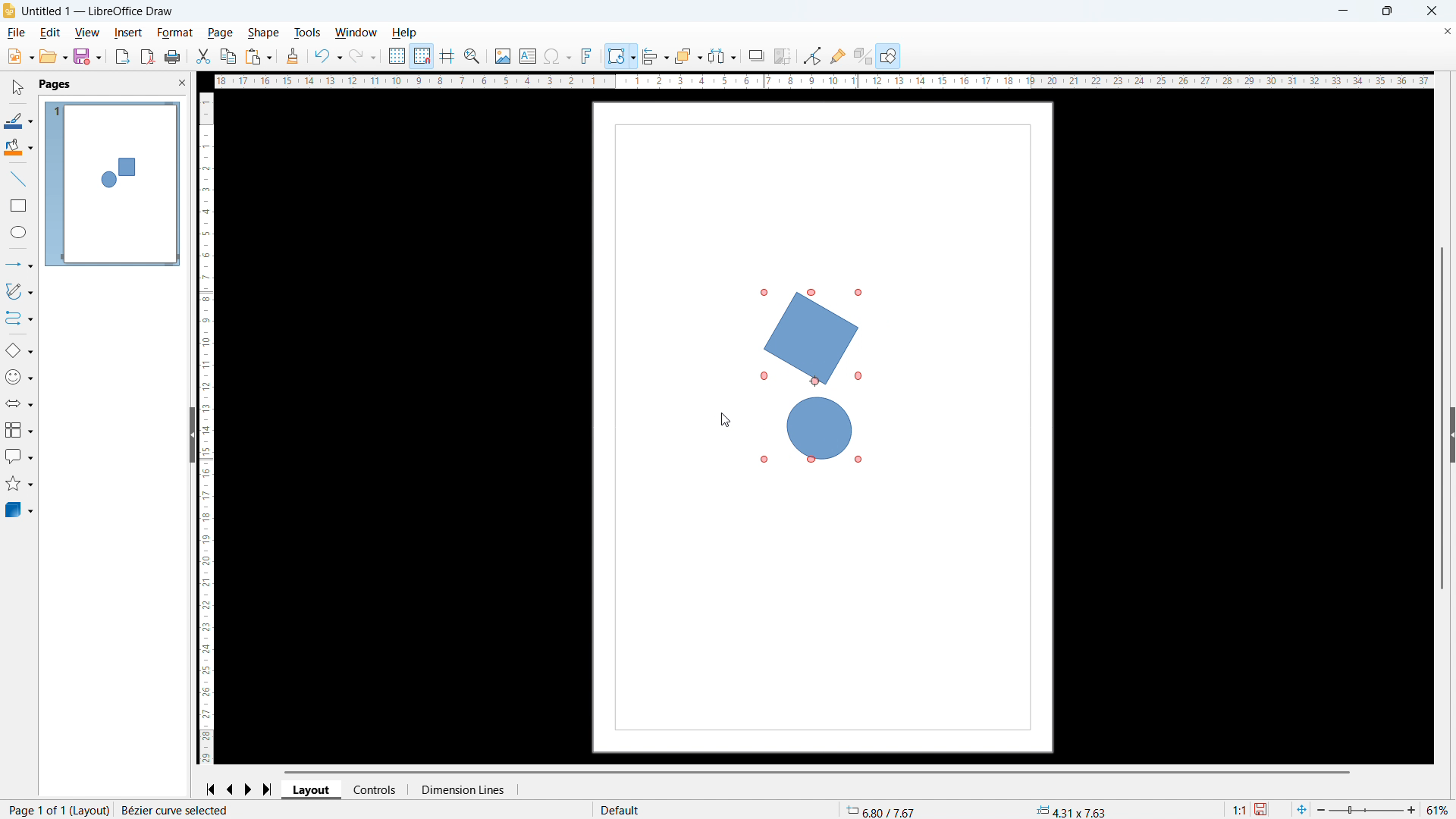  I want to click on Show grid, so click(397, 55).